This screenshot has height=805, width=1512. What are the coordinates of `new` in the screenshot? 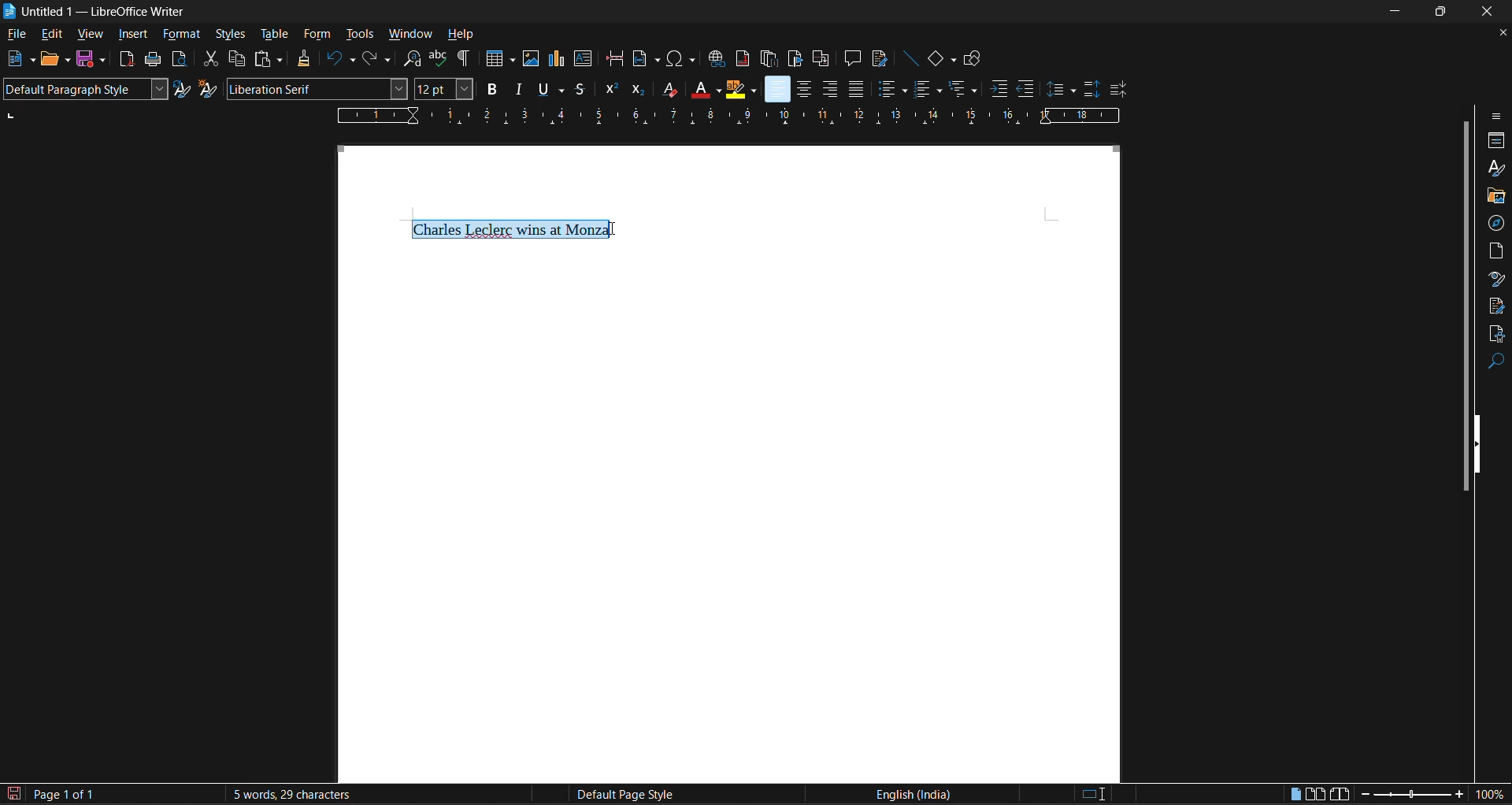 It's located at (20, 59).